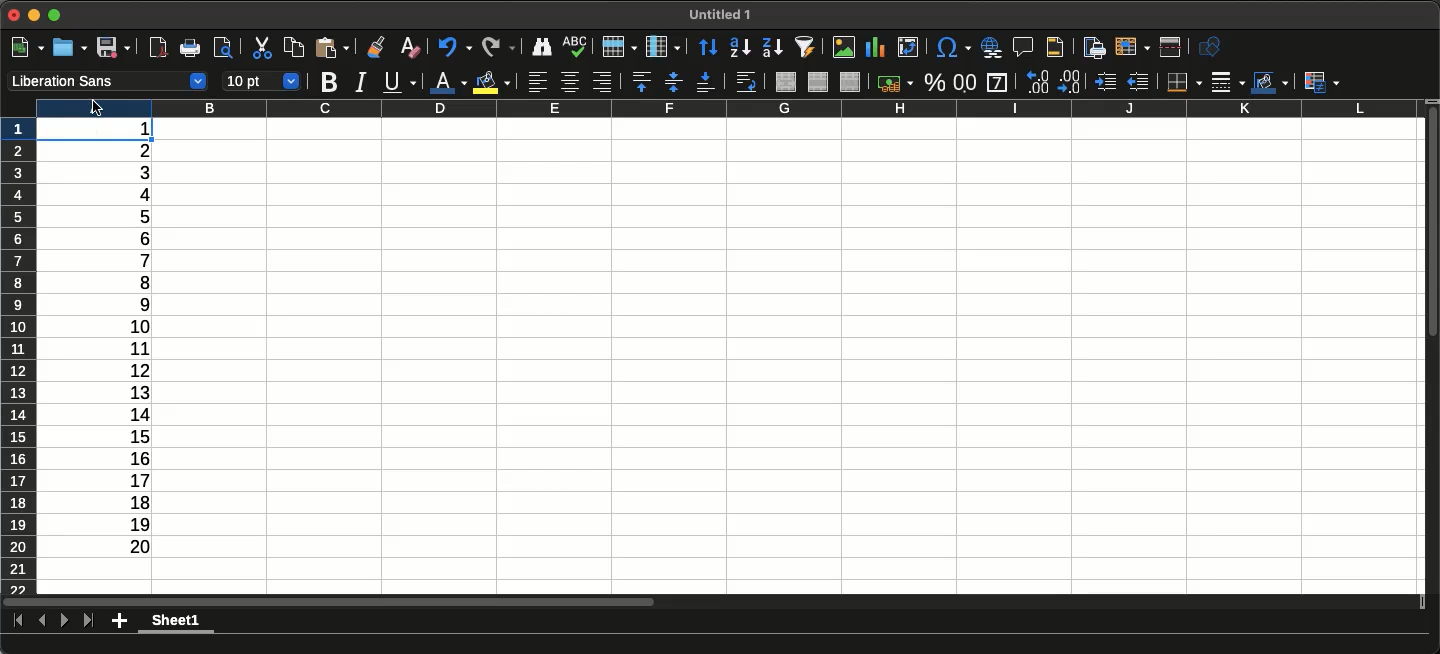 Image resolution: width=1440 pixels, height=654 pixels. What do you see at coordinates (1037, 81) in the screenshot?
I see `Delete decimal place` at bounding box center [1037, 81].